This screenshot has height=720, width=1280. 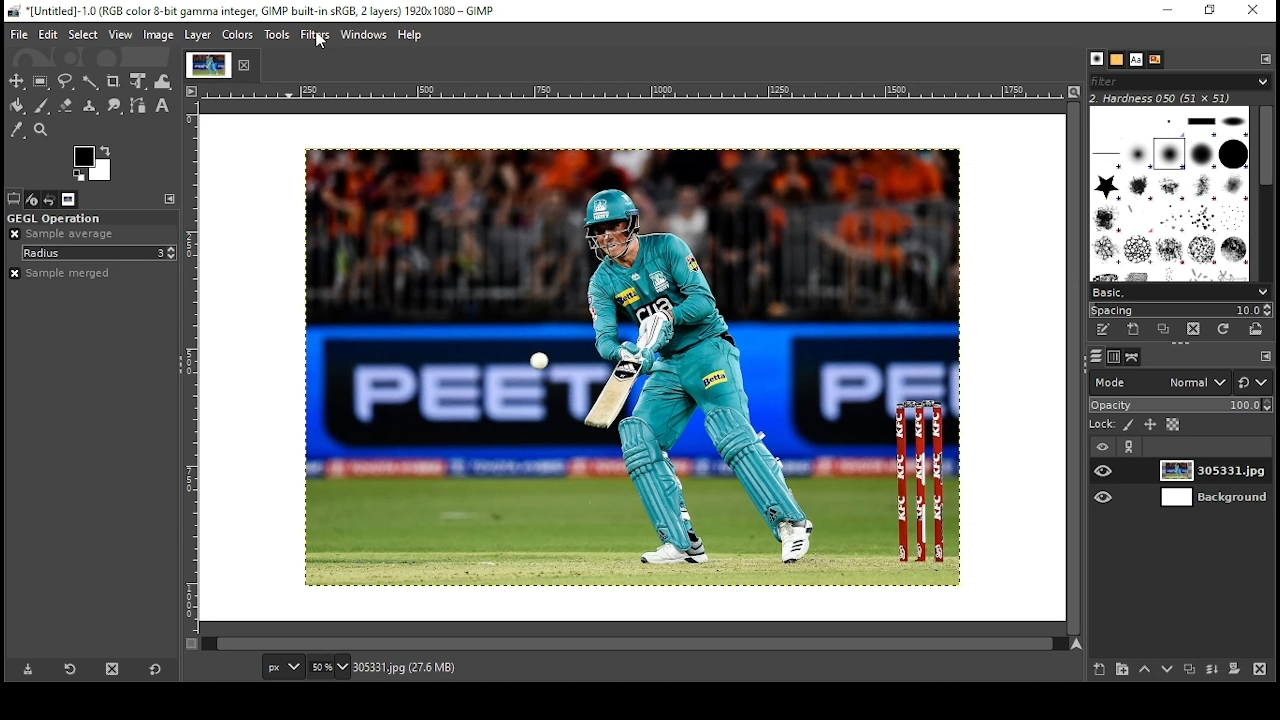 I want to click on move layer one step up, so click(x=1145, y=670).